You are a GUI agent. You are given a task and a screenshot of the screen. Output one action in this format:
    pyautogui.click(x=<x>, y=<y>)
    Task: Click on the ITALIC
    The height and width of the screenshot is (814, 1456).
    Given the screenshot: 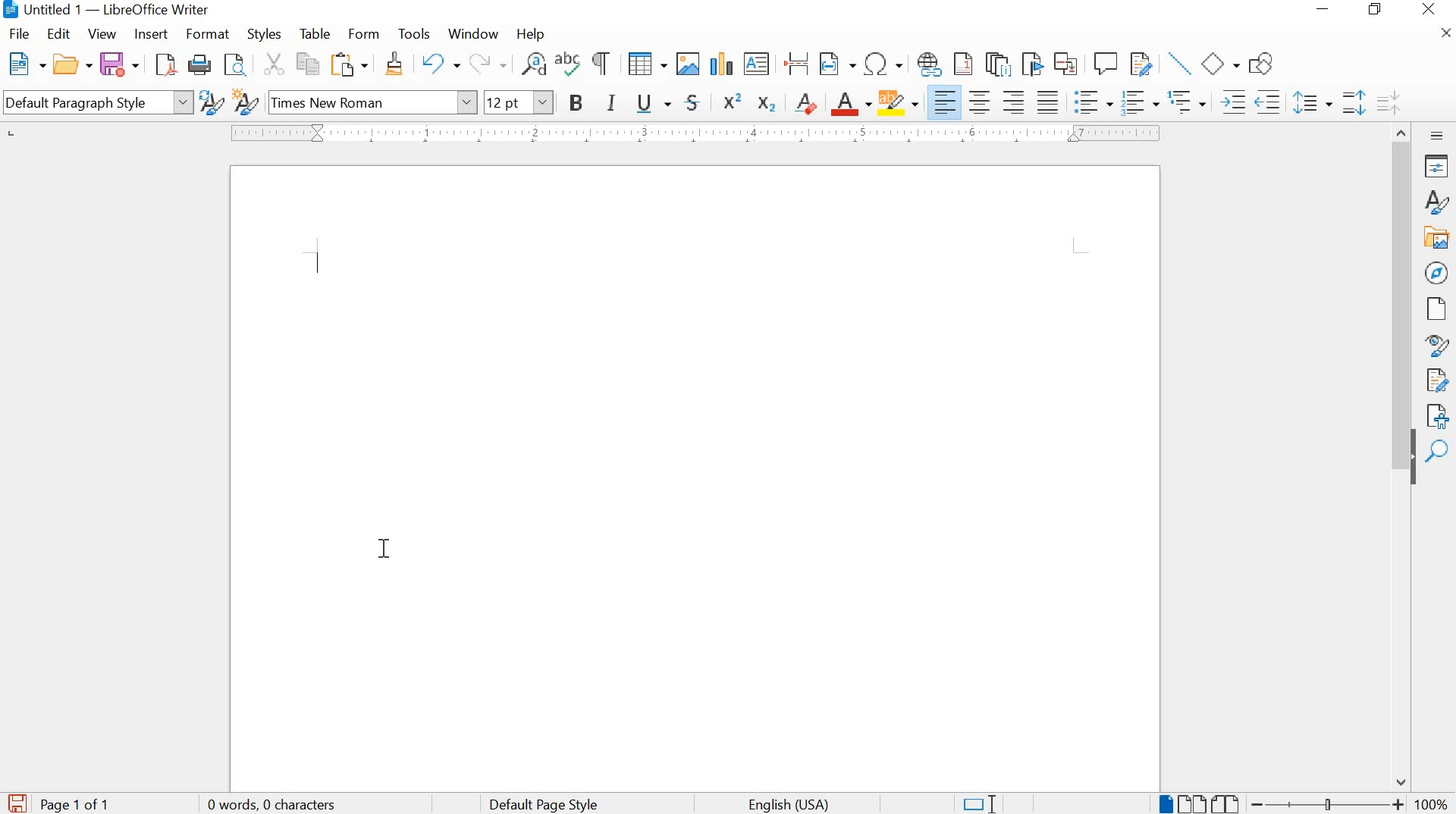 What is the action you would take?
    pyautogui.click(x=613, y=101)
    